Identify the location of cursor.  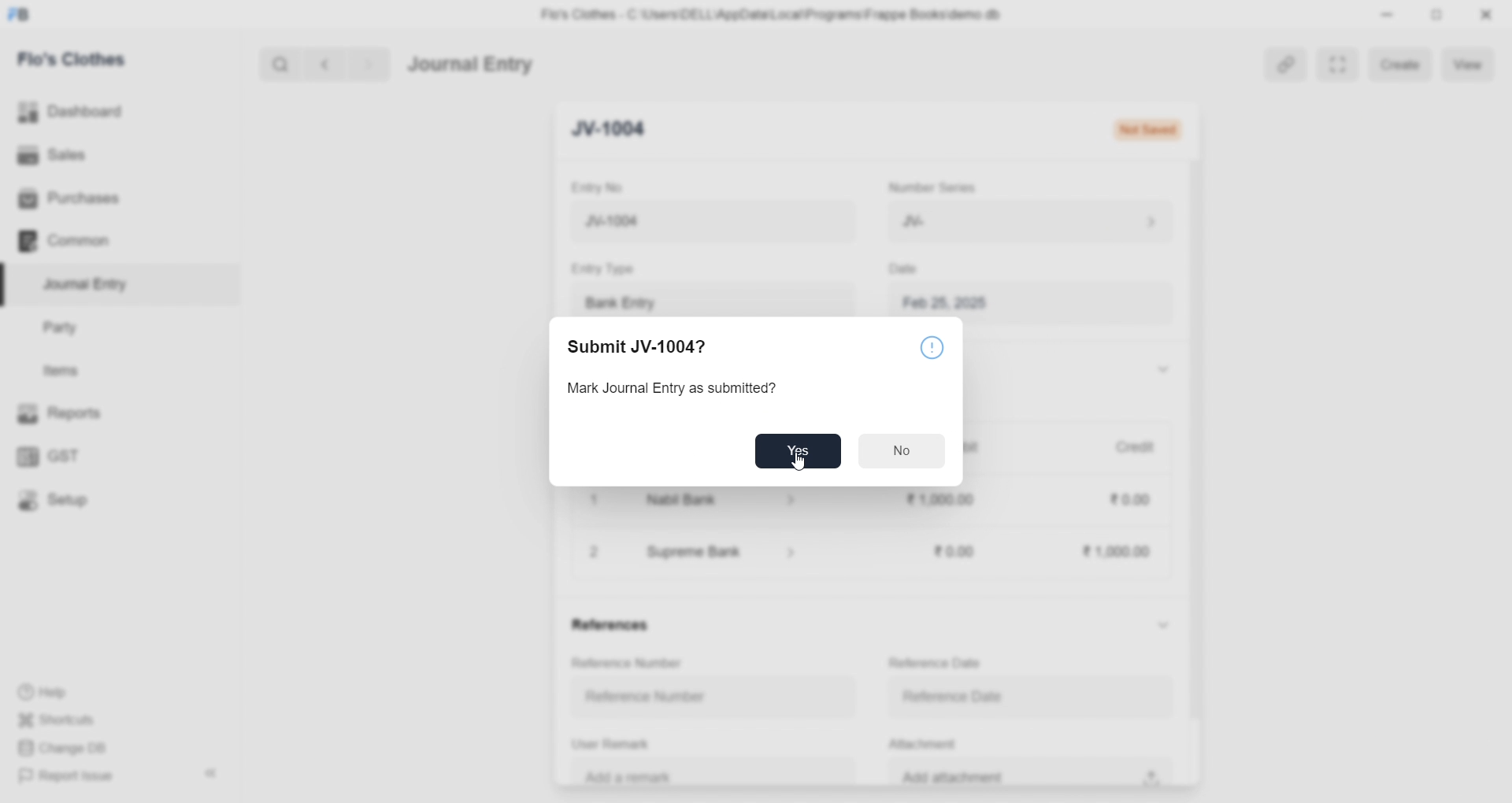
(799, 464).